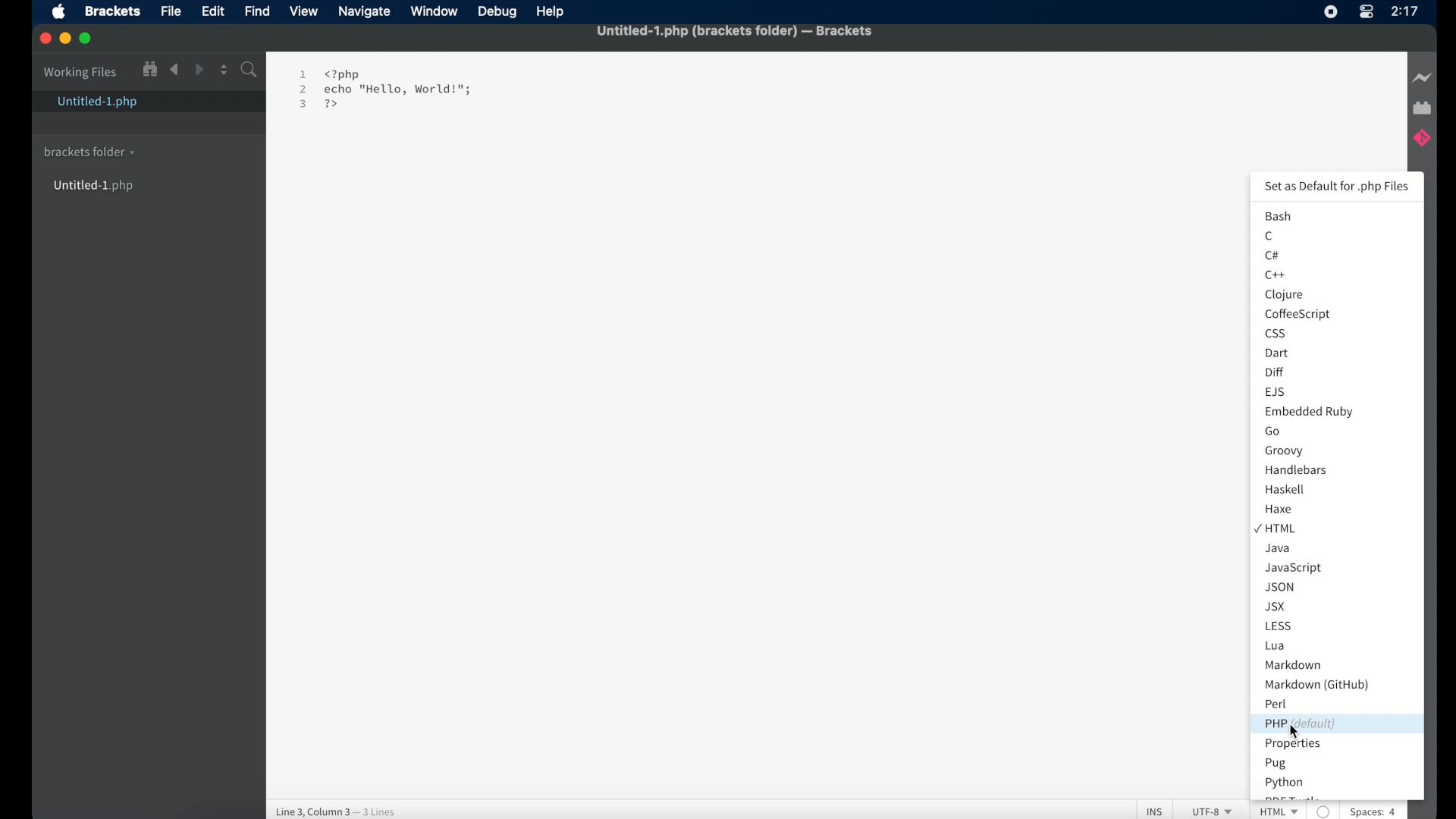 The height and width of the screenshot is (819, 1456). I want to click on brackets git extension, so click(1421, 140).